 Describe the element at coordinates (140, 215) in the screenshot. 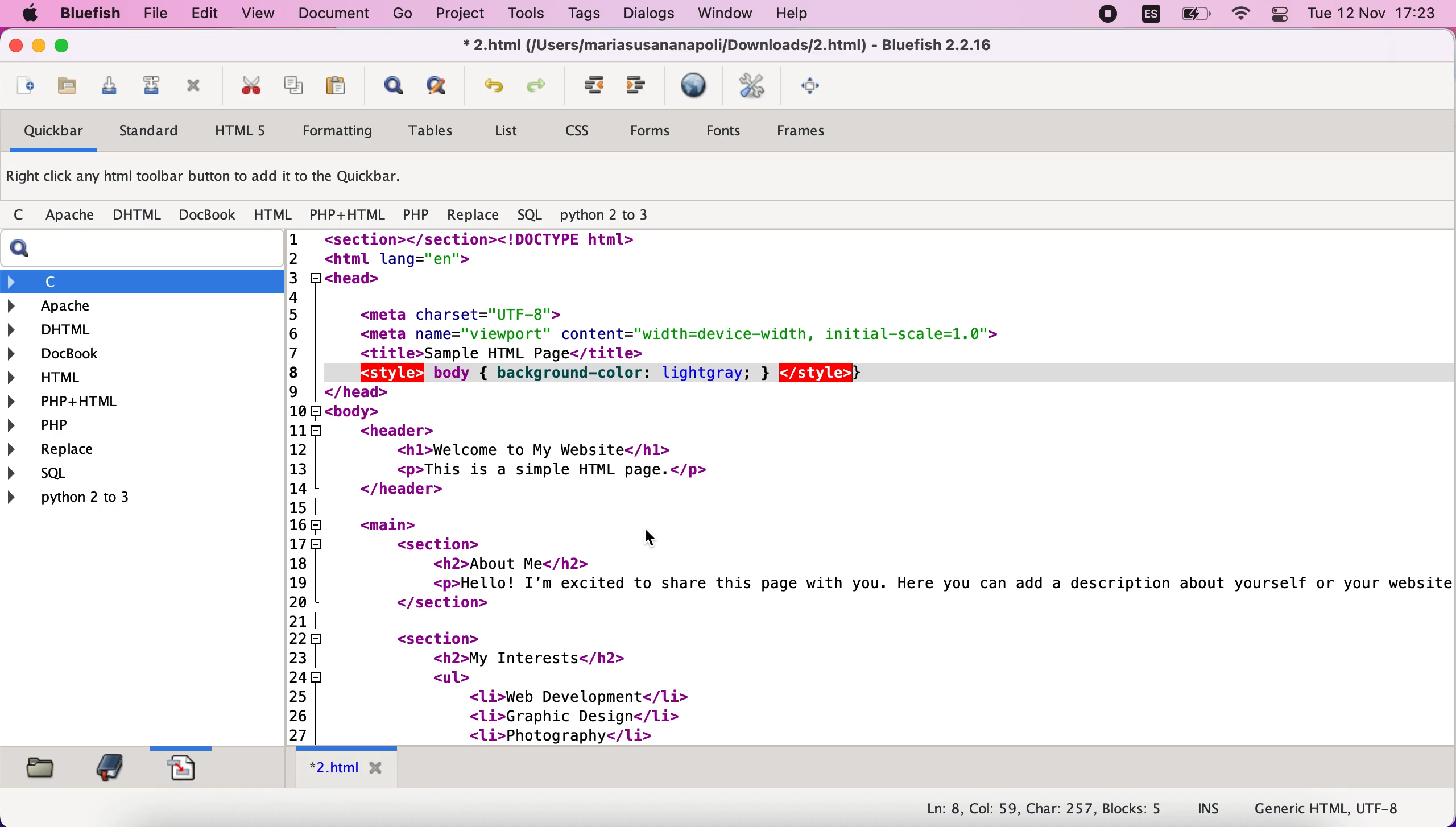

I see `dhtml` at that location.